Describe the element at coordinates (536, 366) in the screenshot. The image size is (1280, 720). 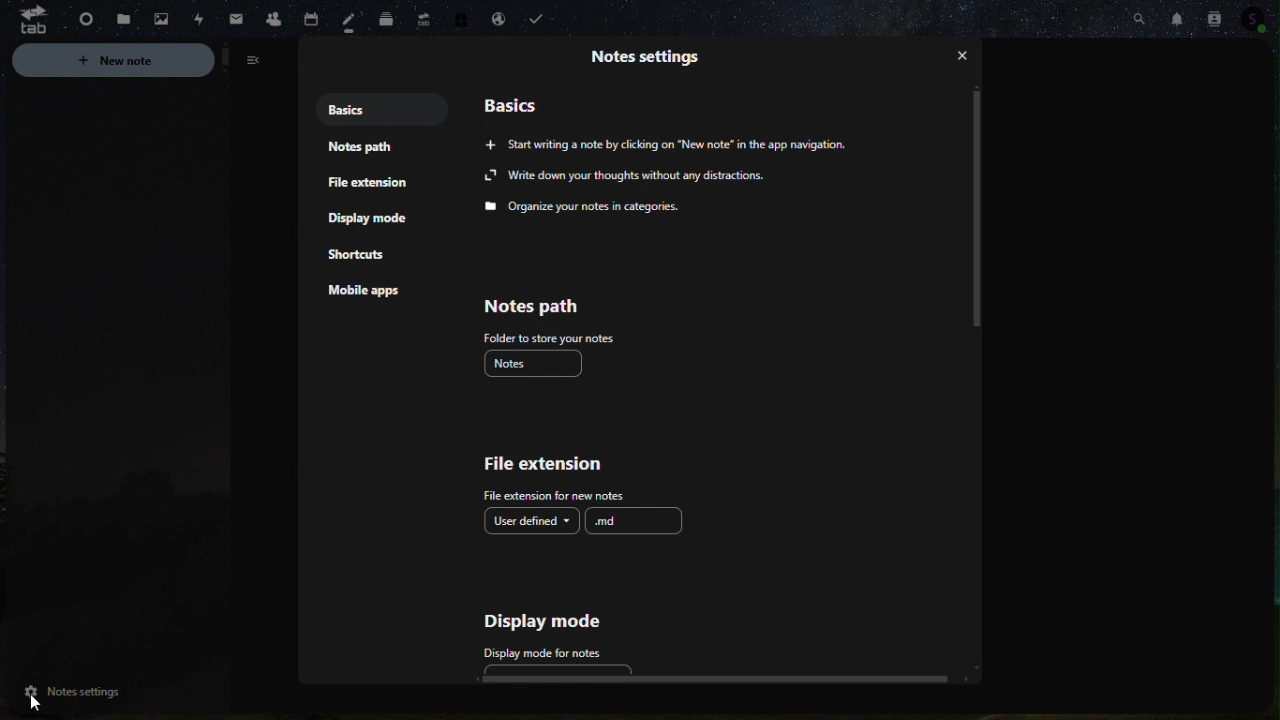
I see `notes` at that location.